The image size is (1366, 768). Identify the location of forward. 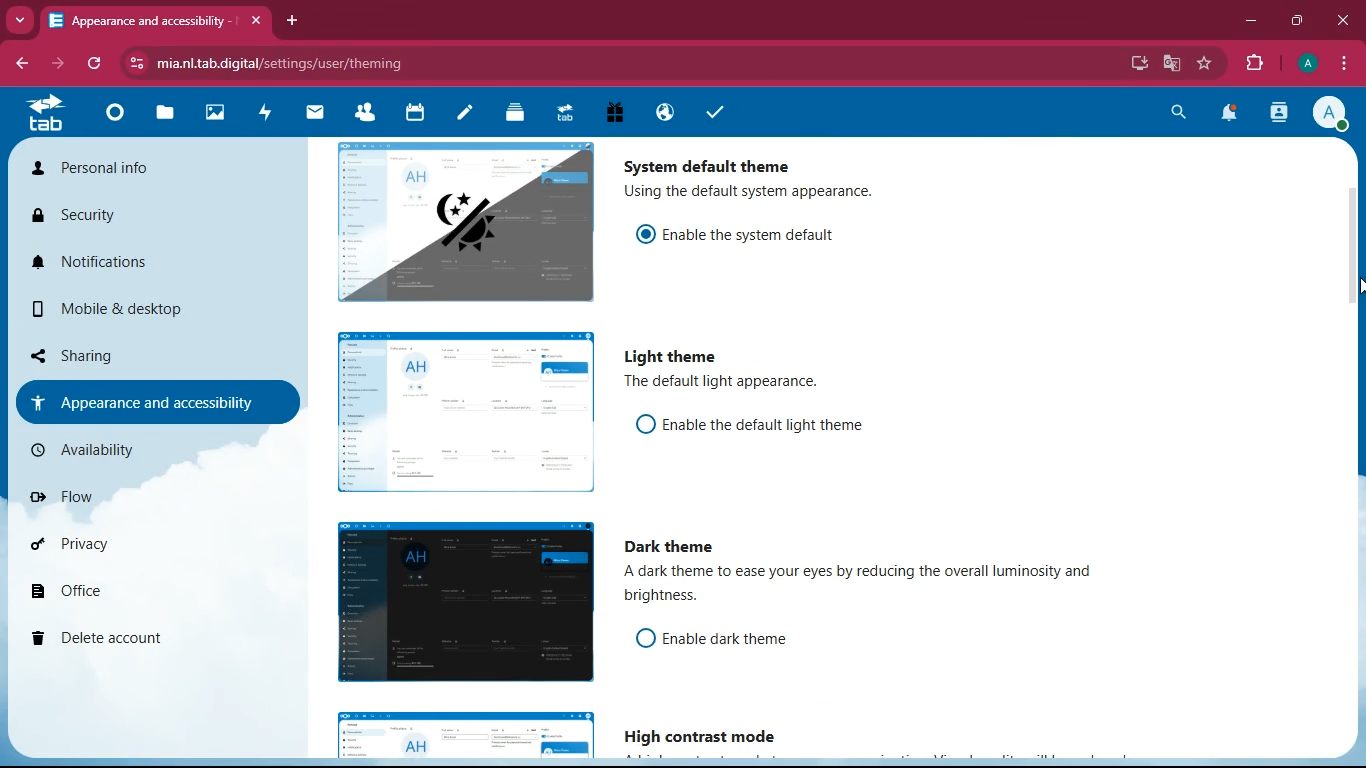
(60, 64).